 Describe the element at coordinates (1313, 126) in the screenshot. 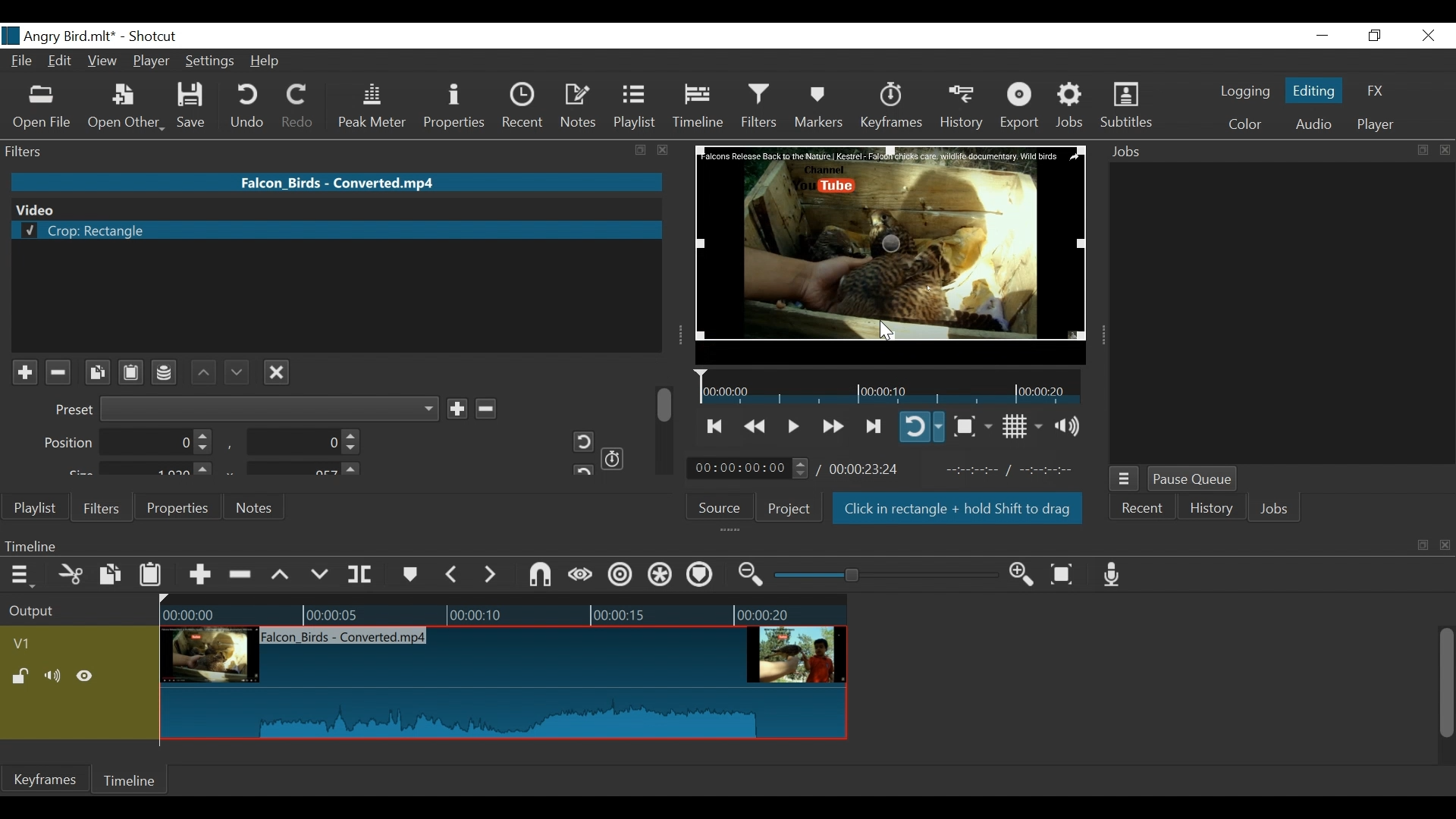

I see `Audio` at that location.